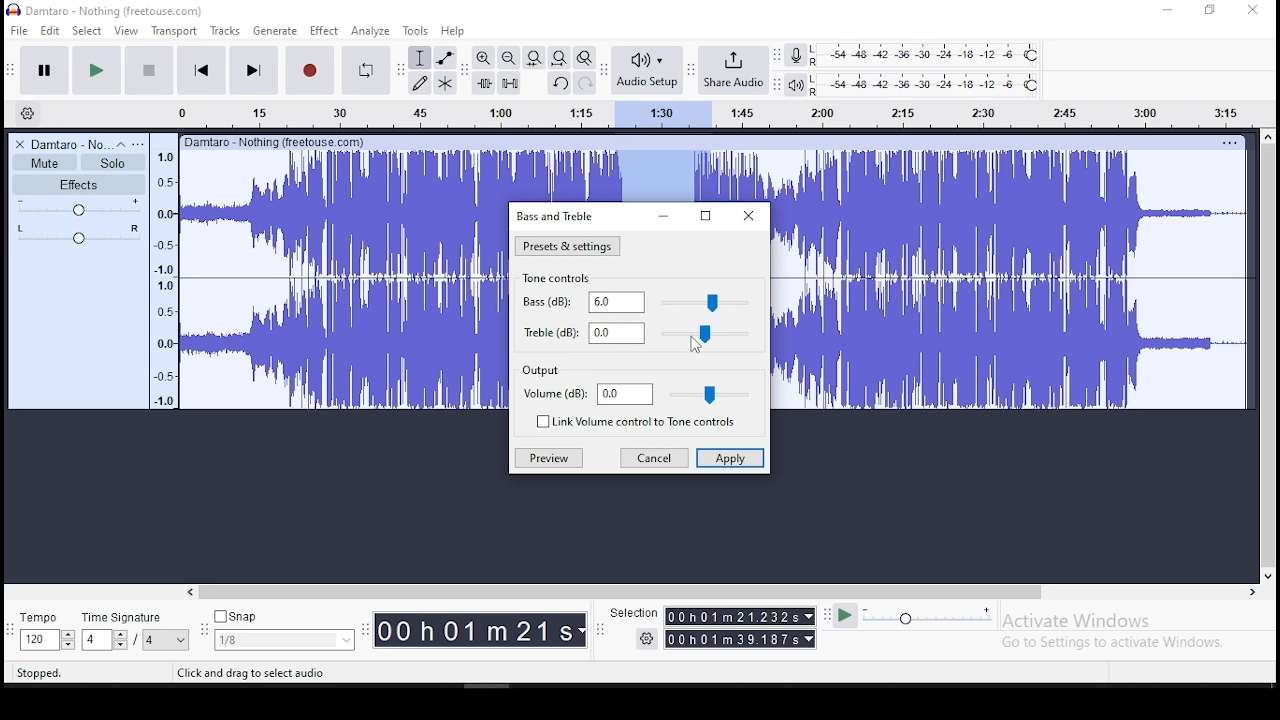  Describe the element at coordinates (750, 216) in the screenshot. I see `close` at that location.